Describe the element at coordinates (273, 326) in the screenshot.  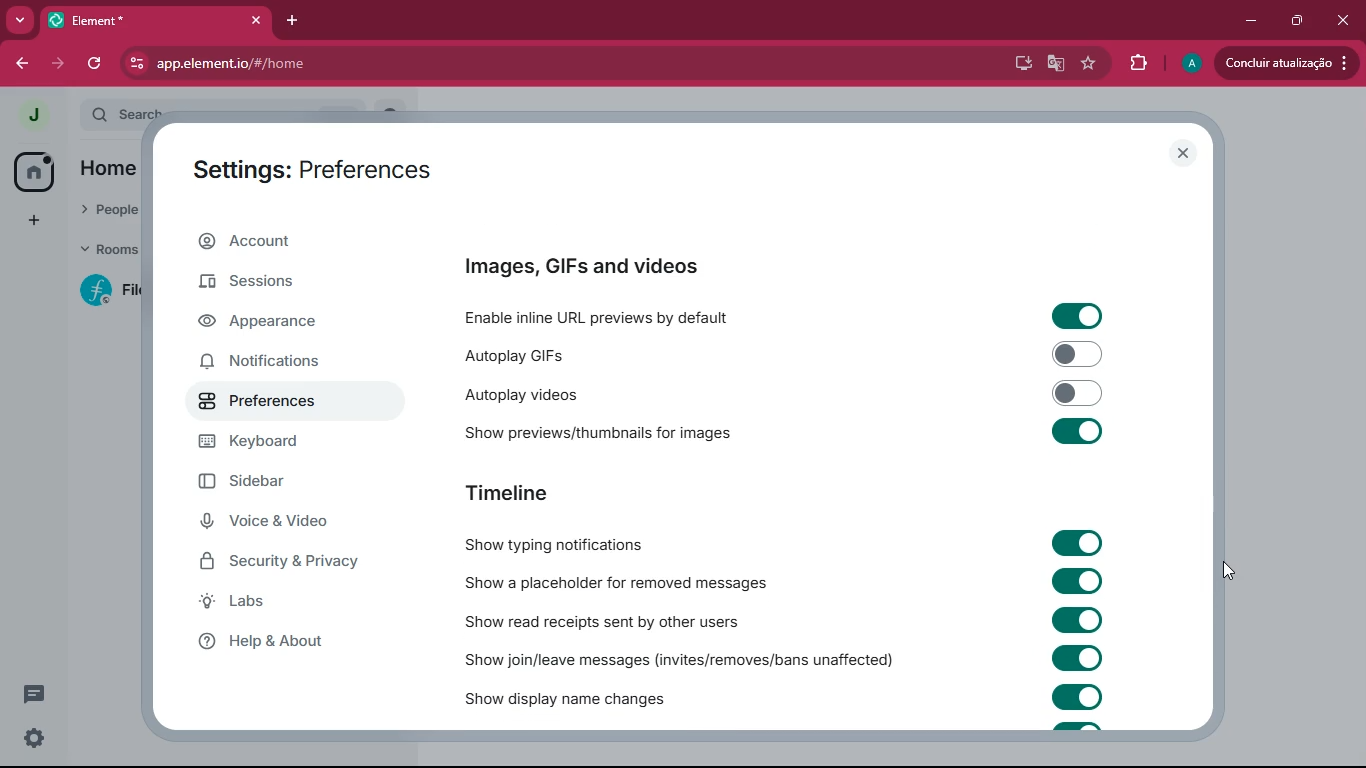
I see `appearance` at that location.